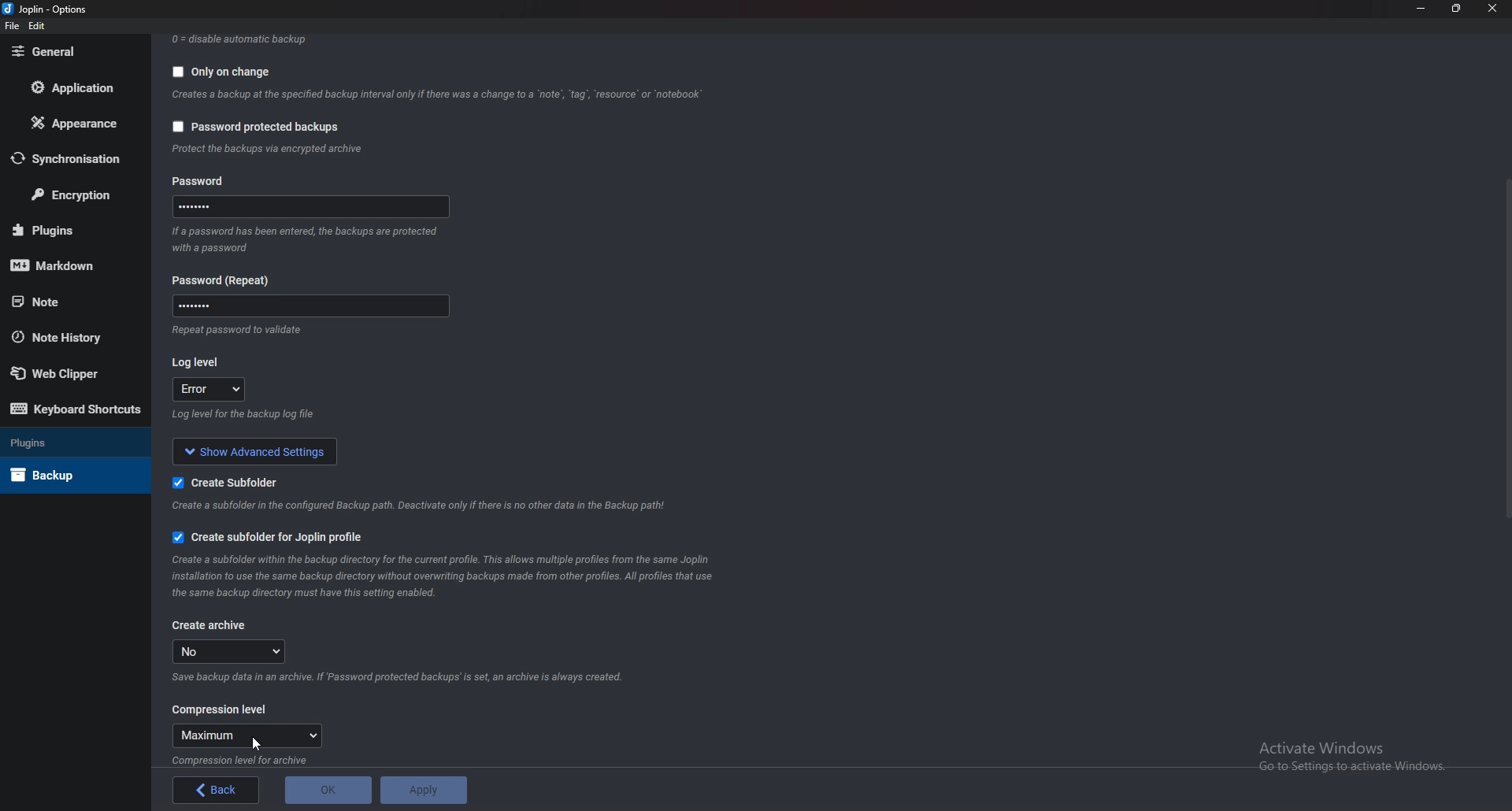 The width and height of the screenshot is (1512, 811). Describe the element at coordinates (233, 651) in the screenshot. I see `no` at that location.